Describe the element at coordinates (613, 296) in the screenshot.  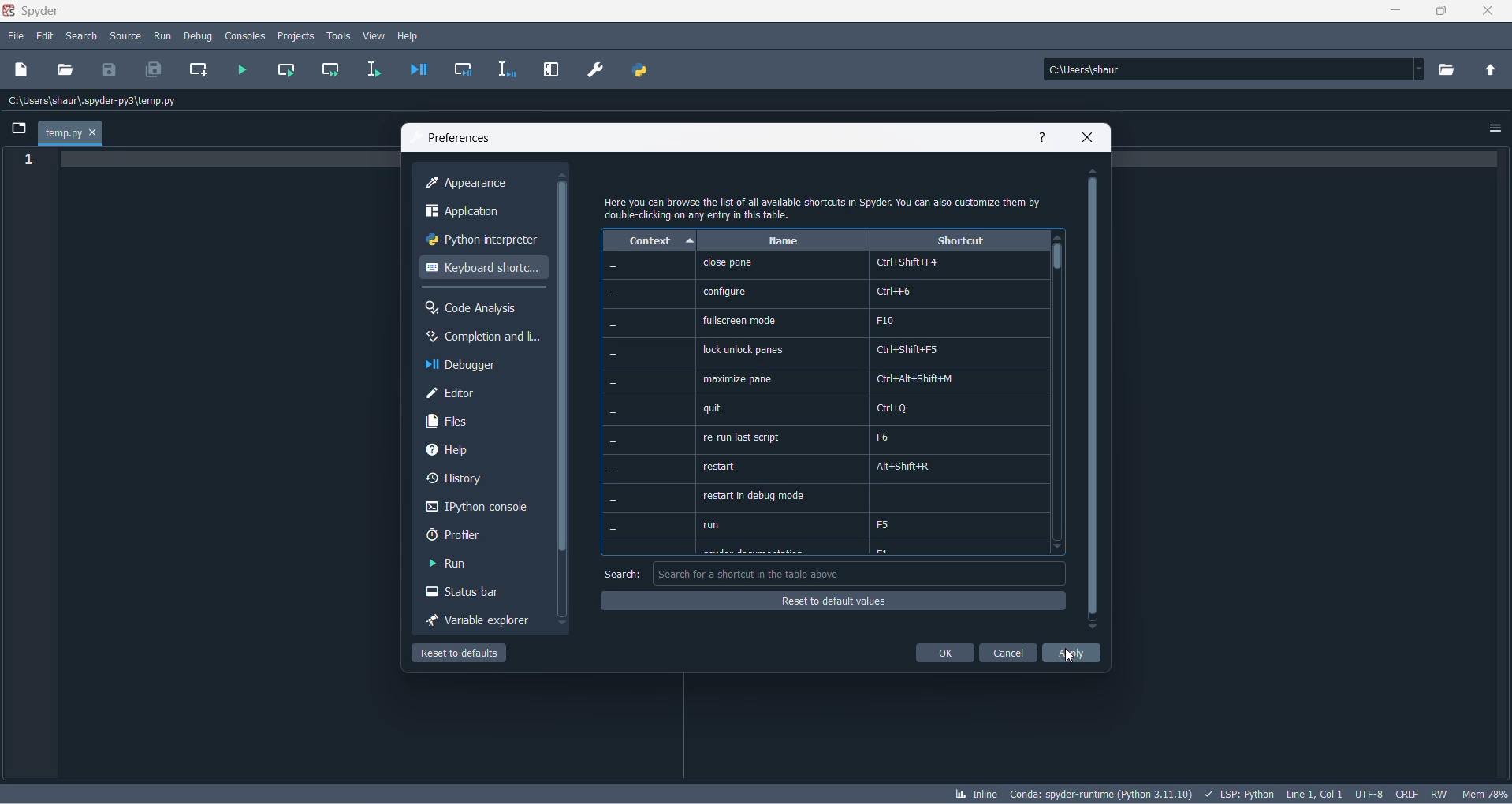
I see `` at that location.